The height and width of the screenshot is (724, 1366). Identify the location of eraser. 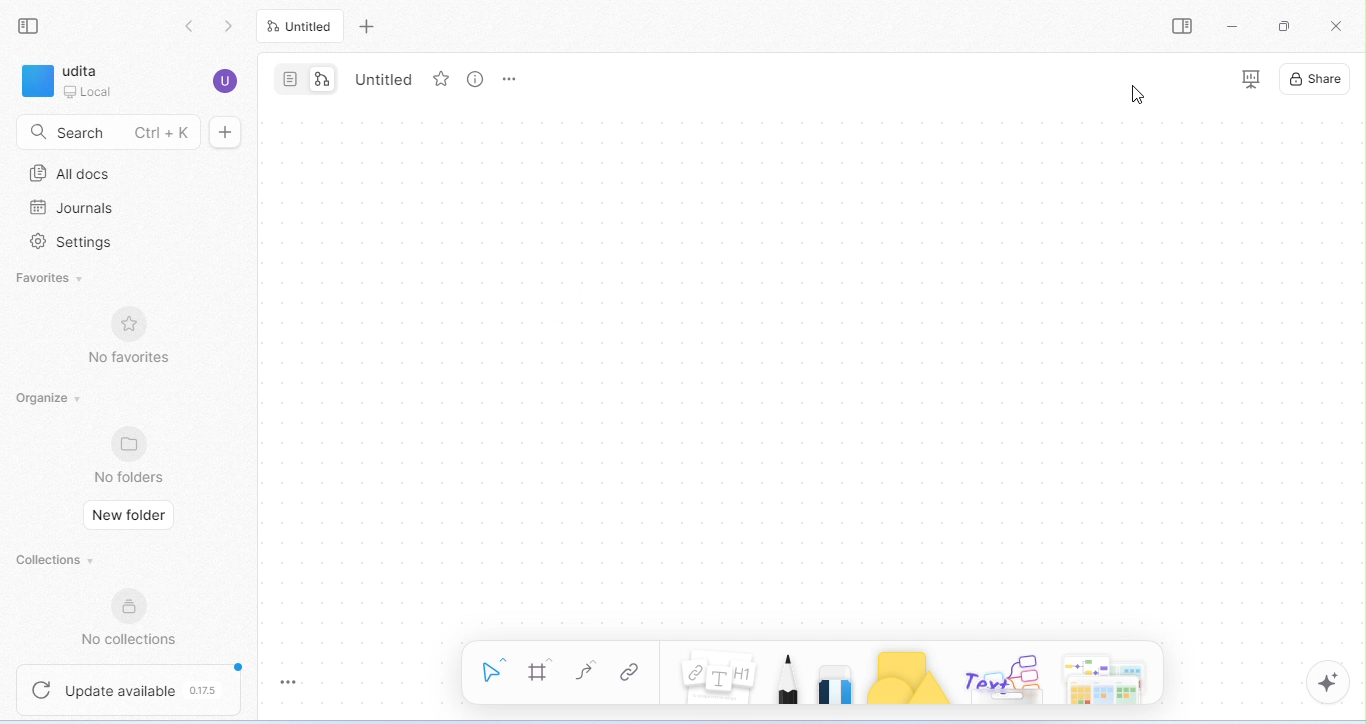
(839, 683).